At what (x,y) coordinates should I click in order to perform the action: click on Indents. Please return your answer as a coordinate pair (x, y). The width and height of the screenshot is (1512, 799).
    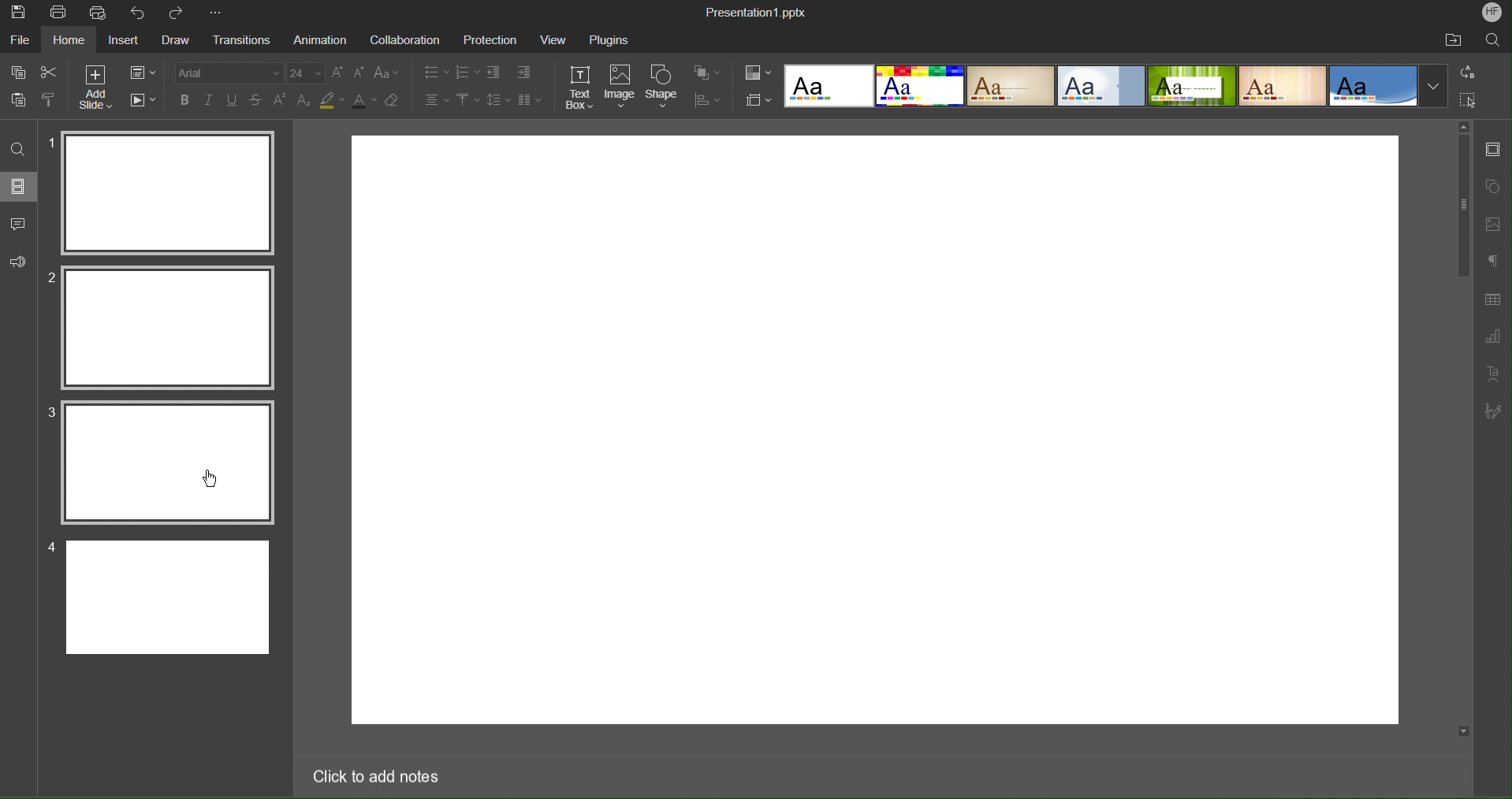
    Looking at the image, I should click on (513, 71).